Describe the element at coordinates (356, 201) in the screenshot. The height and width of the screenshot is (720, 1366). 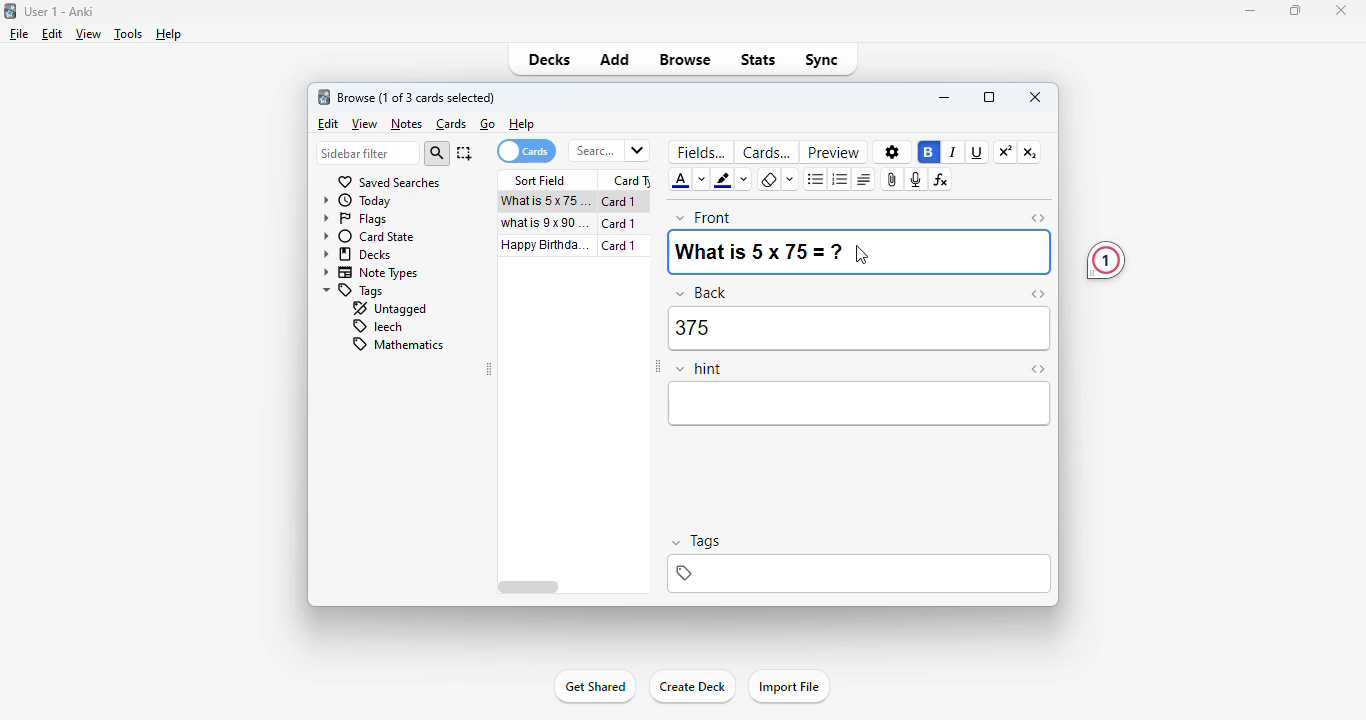
I see `today` at that location.